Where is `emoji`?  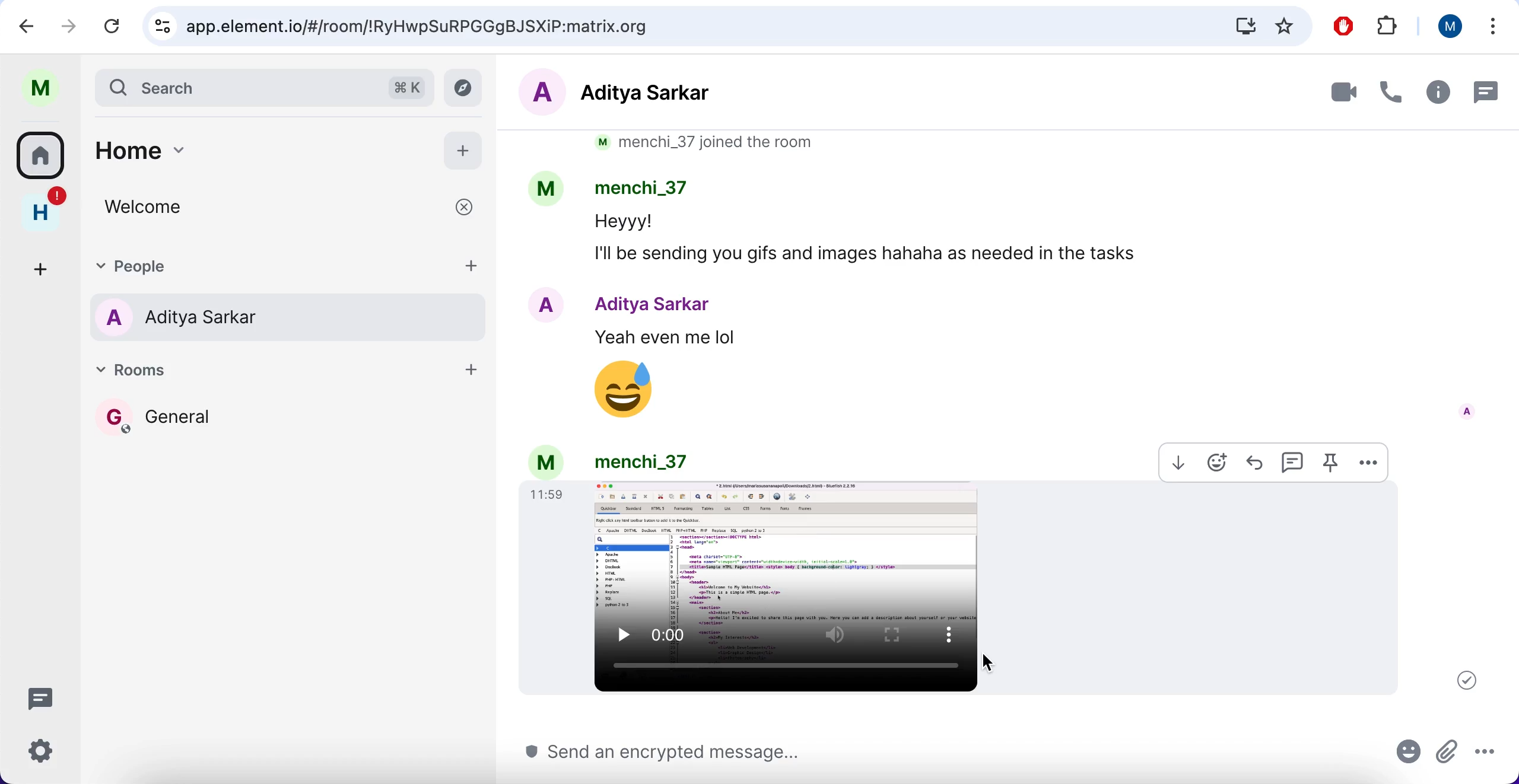
emoji is located at coordinates (629, 392).